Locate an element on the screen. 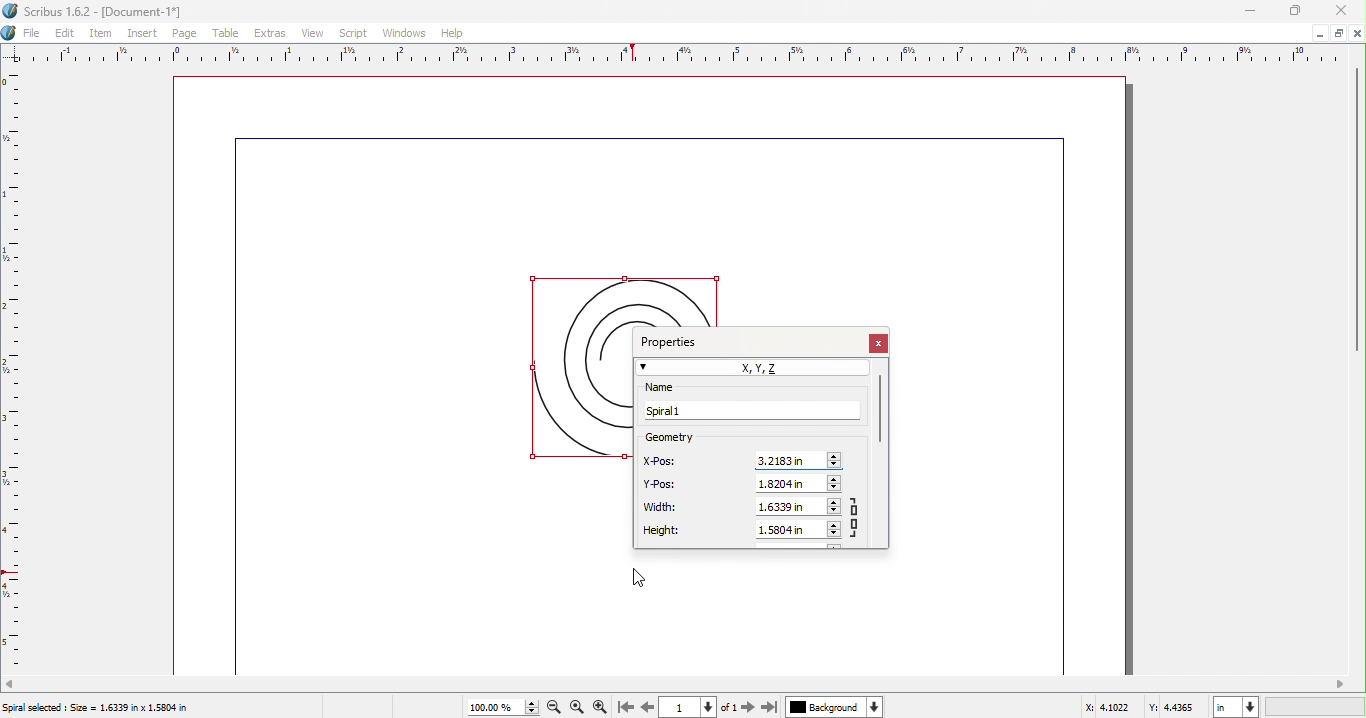  move left is located at coordinates (10, 684).